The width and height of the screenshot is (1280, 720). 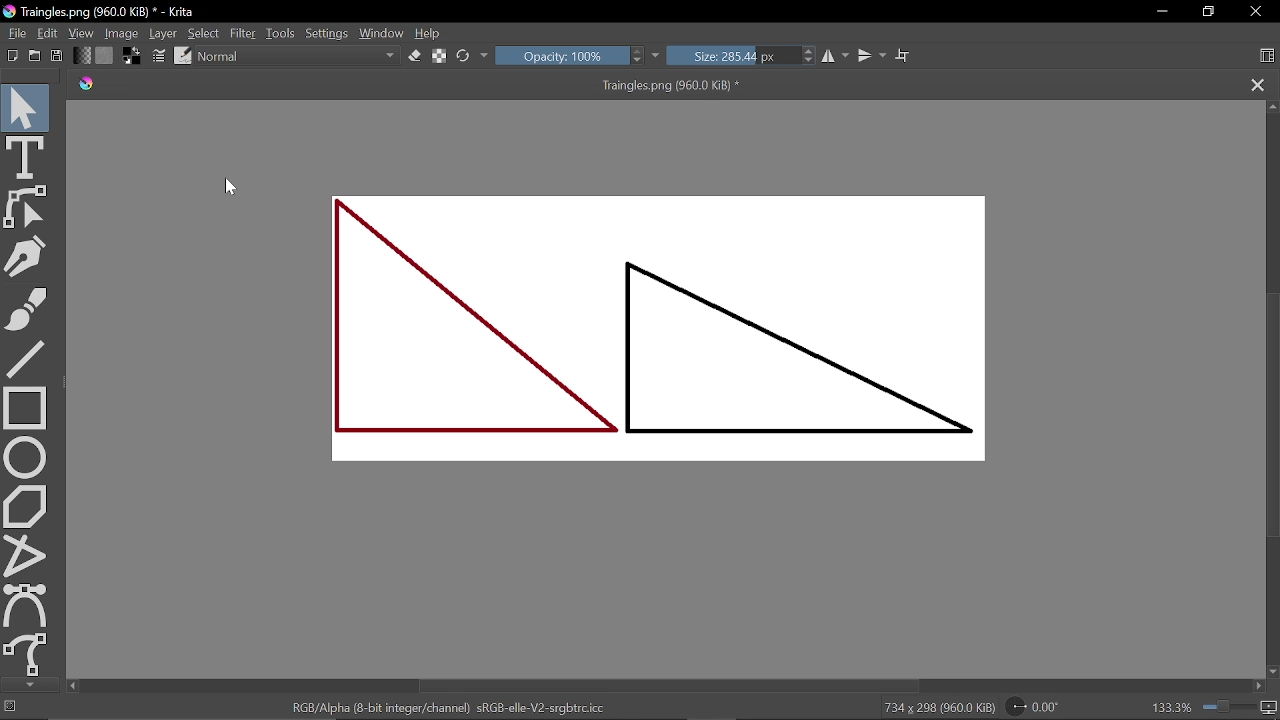 I want to click on Wrap around mode, so click(x=904, y=56).